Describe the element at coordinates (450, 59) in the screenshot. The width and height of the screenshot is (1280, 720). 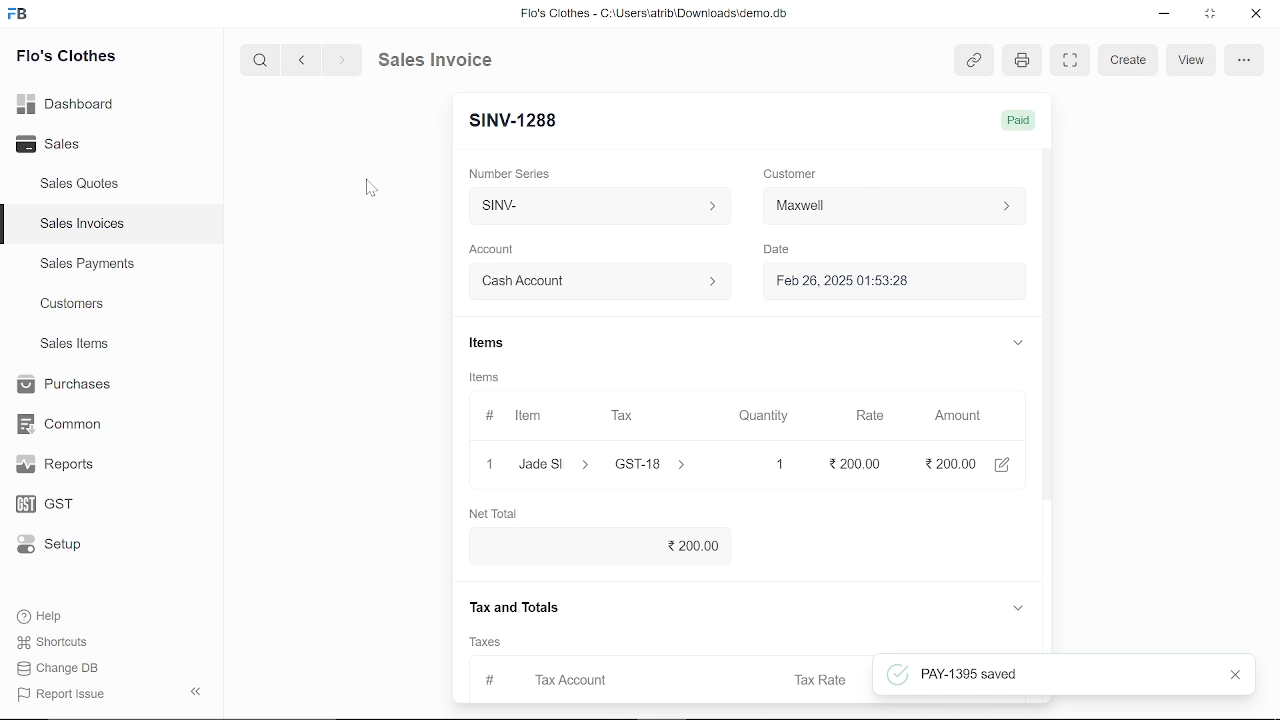
I see `Sales Invoice` at that location.